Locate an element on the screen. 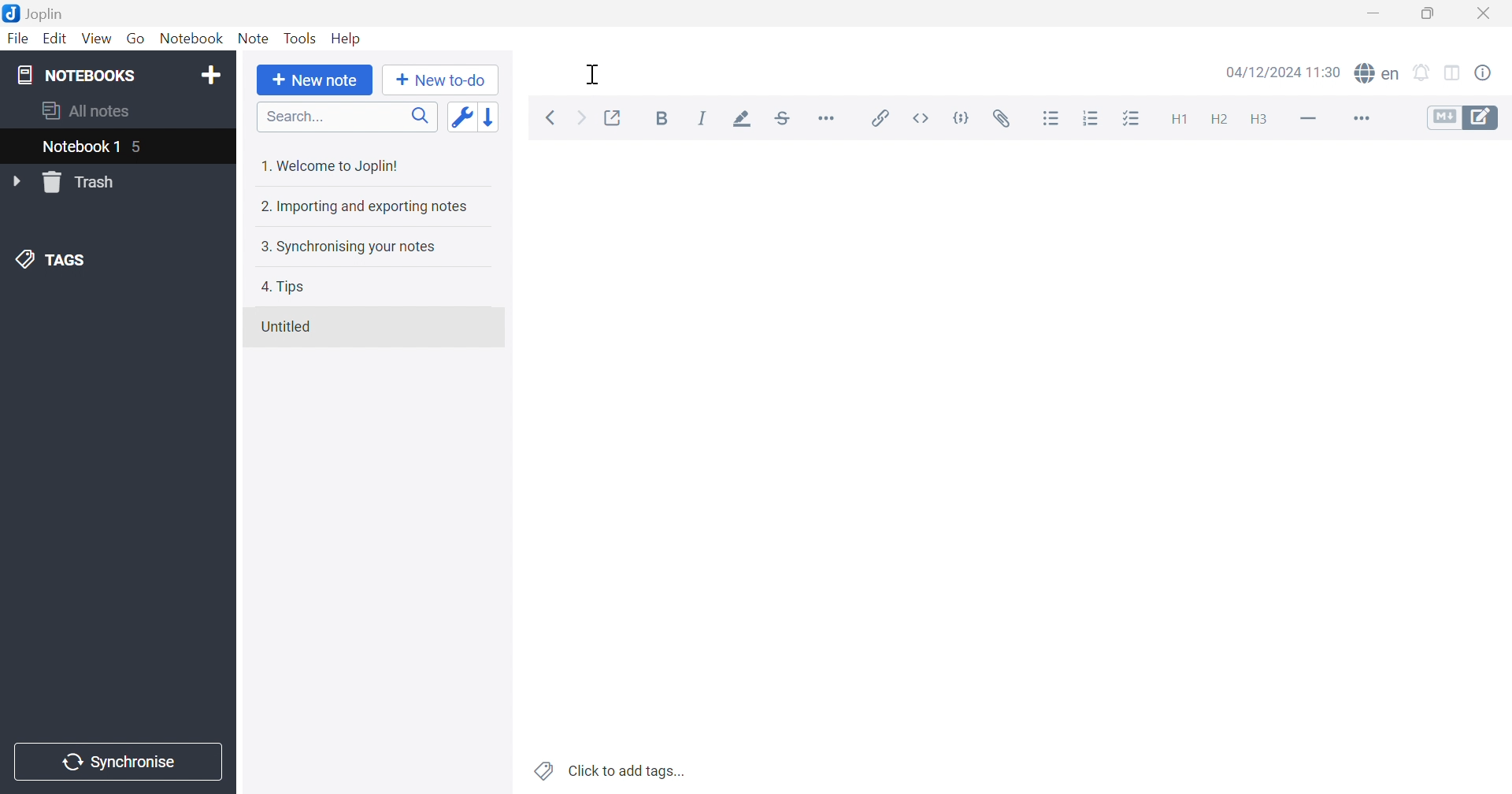 The width and height of the screenshot is (1512, 794). code is located at coordinates (962, 116).